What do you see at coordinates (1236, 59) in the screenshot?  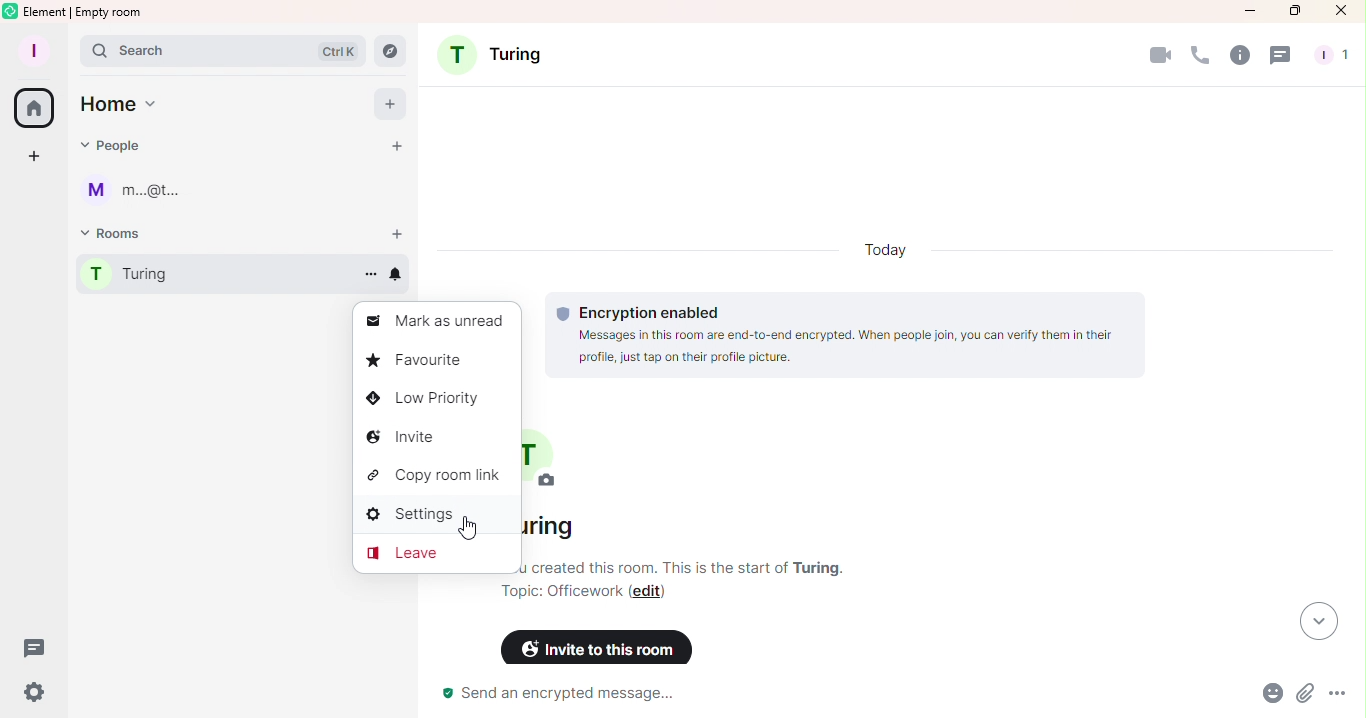 I see `Room info` at bounding box center [1236, 59].